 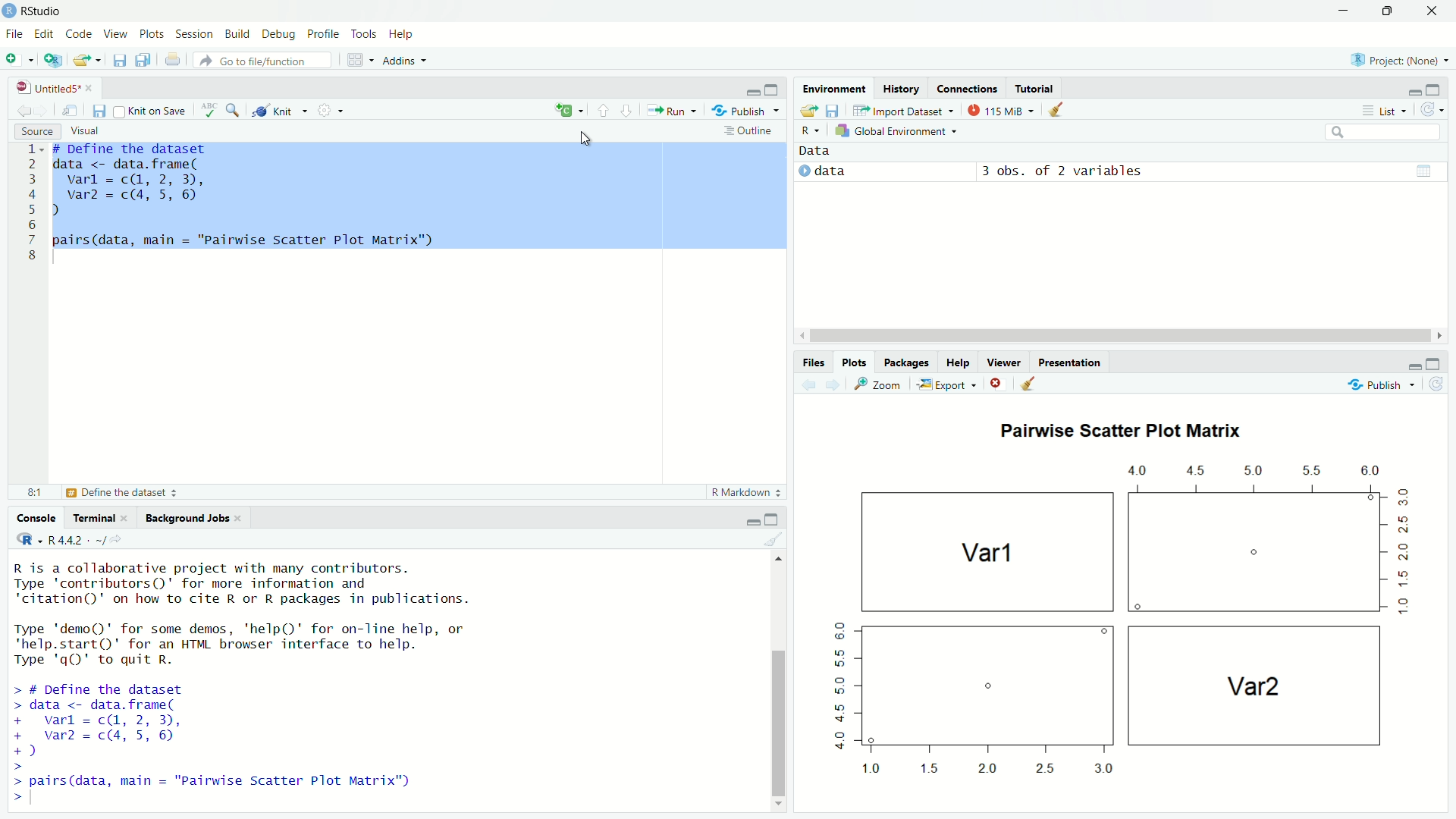 I want to click on Show document outline (Ctrl + Shift + O), so click(x=750, y=130).